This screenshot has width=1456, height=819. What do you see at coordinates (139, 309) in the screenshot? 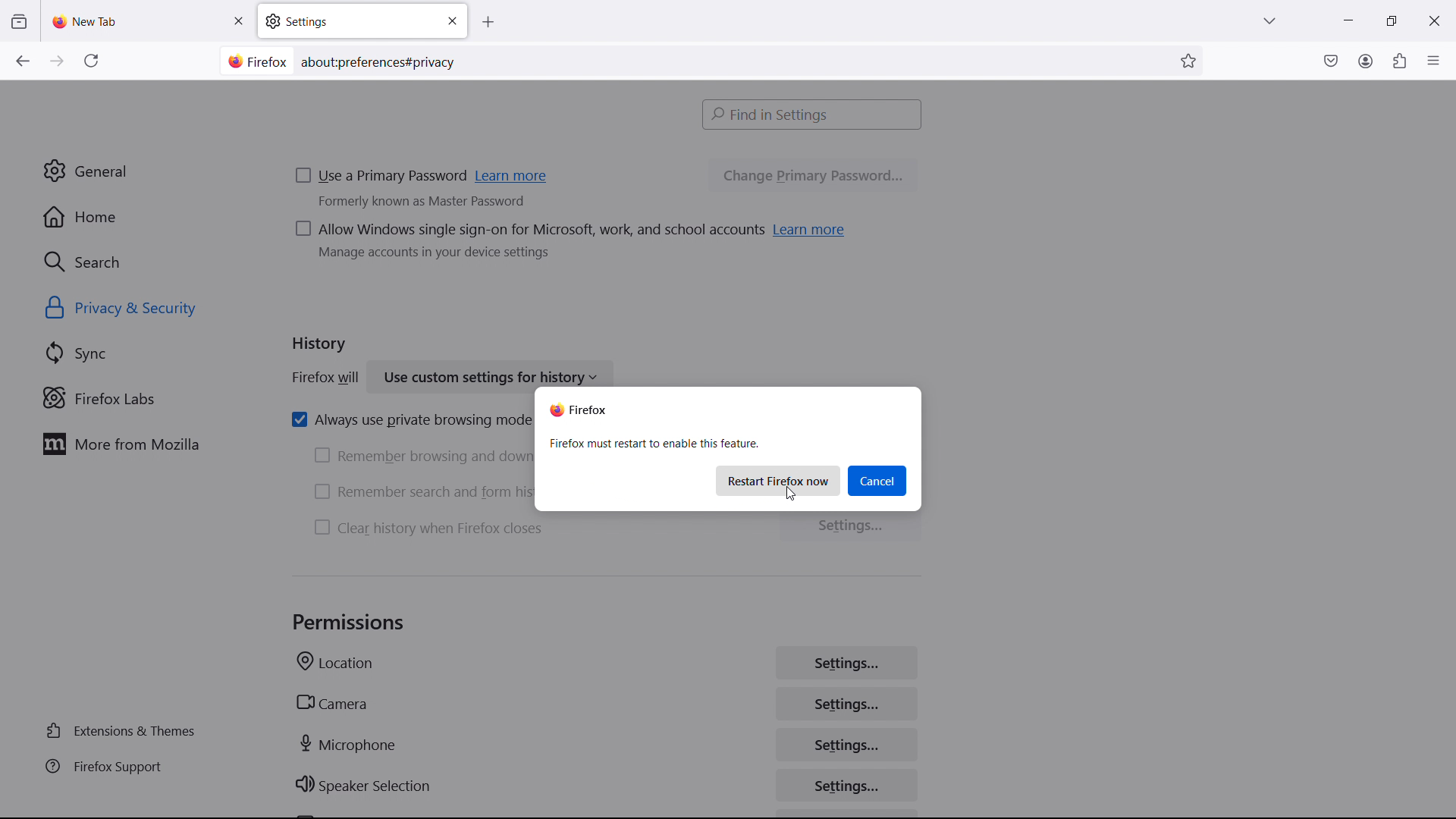
I see `privacy and security option selected` at bounding box center [139, 309].